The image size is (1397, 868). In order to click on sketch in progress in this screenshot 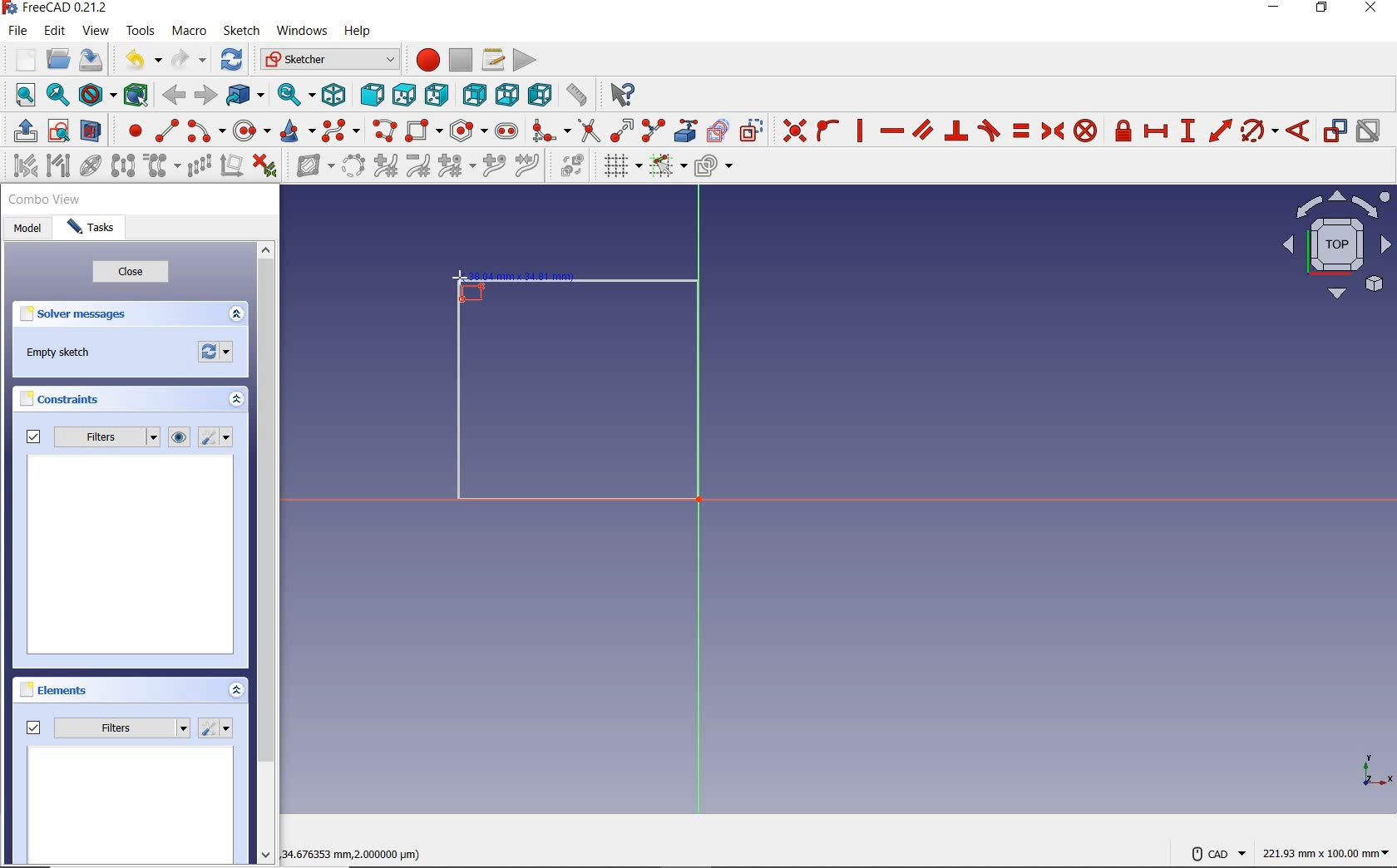, I will do `click(578, 396)`.